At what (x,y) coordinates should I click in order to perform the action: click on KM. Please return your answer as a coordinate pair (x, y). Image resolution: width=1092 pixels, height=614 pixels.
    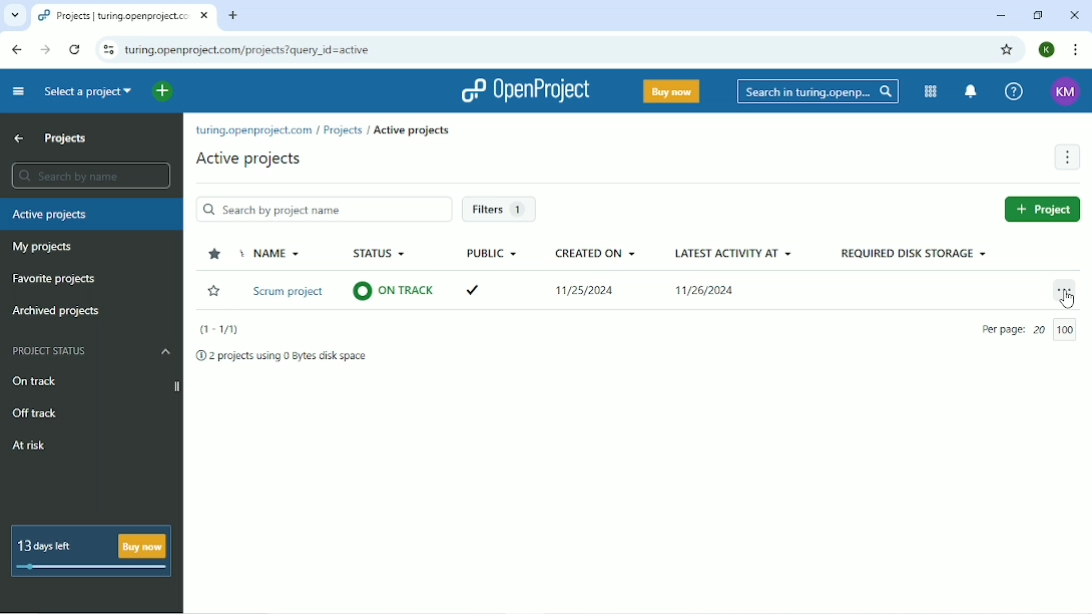
    Looking at the image, I should click on (1065, 92).